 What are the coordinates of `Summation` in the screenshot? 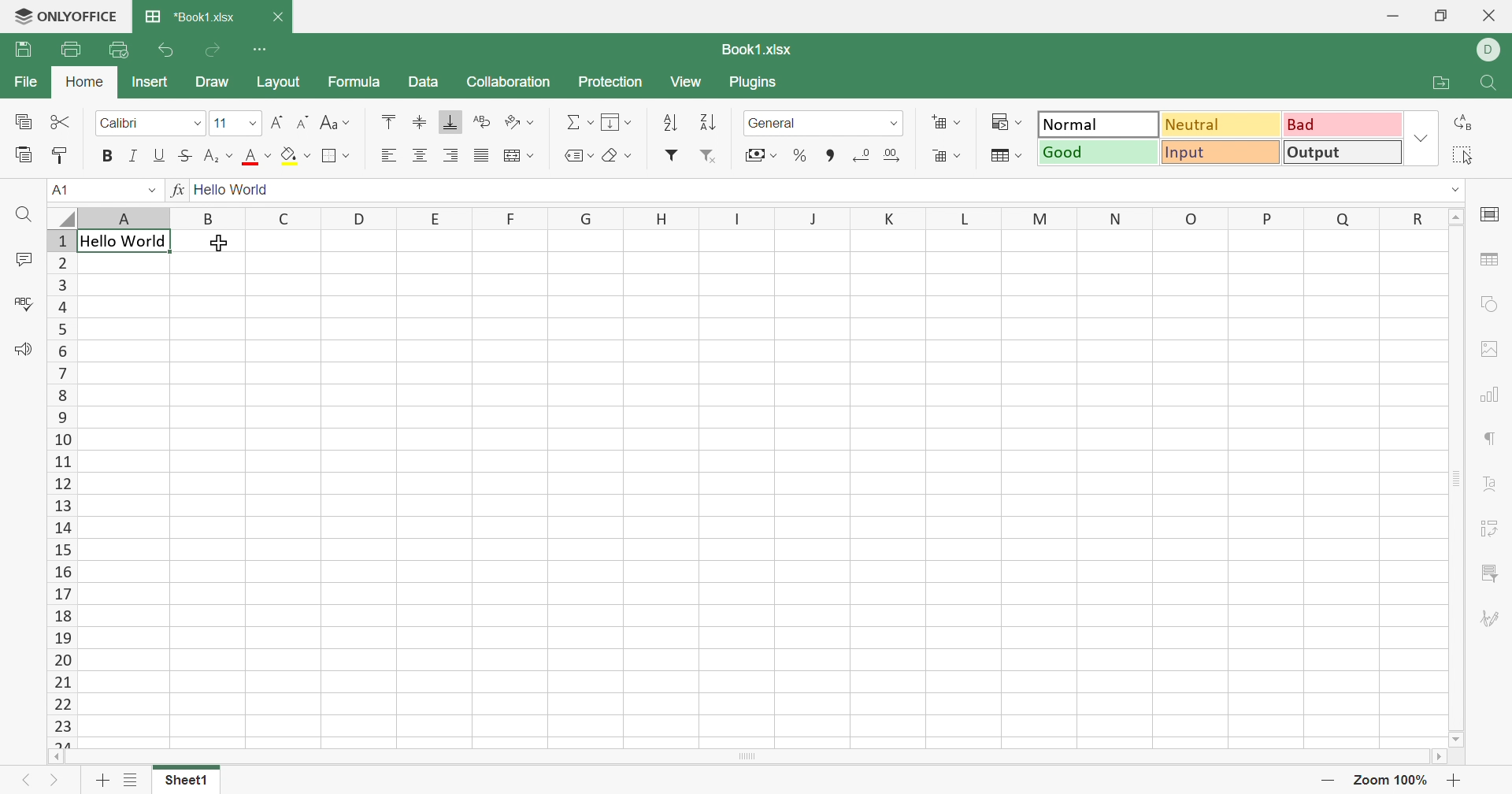 It's located at (580, 123).